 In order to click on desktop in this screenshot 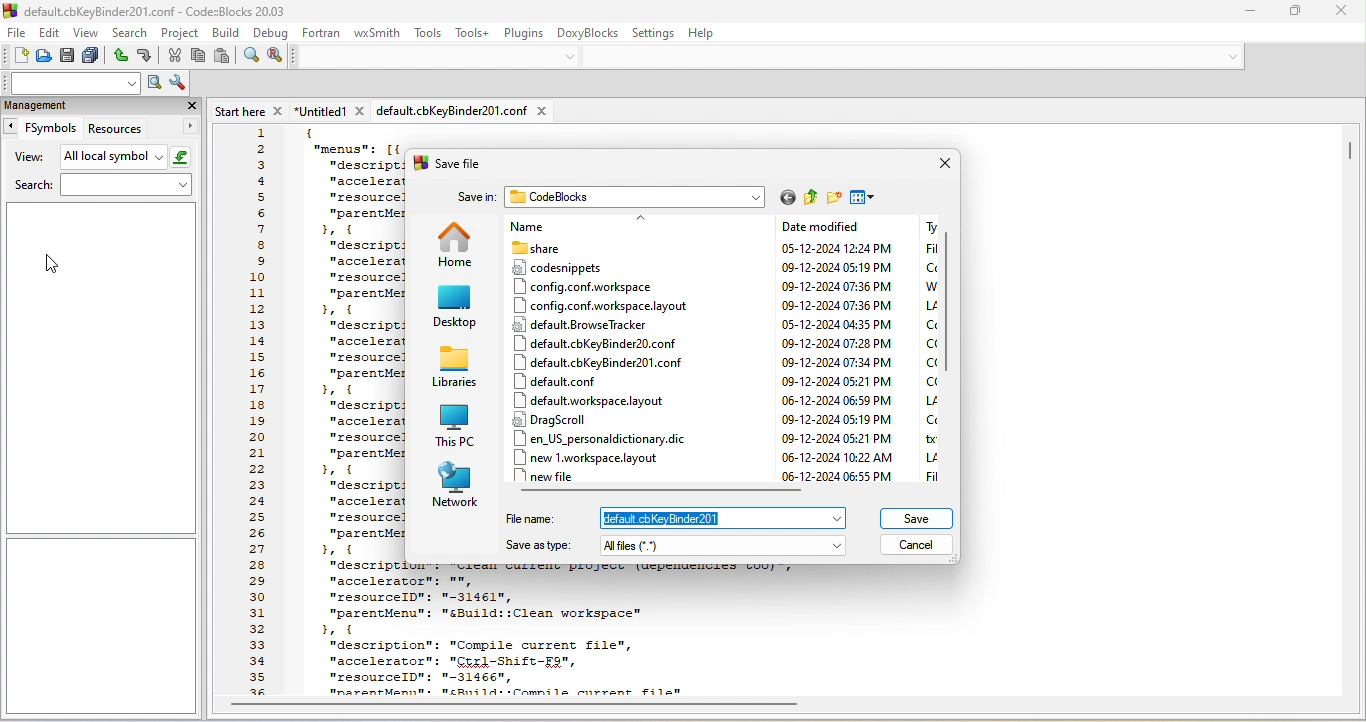, I will do `click(456, 308)`.